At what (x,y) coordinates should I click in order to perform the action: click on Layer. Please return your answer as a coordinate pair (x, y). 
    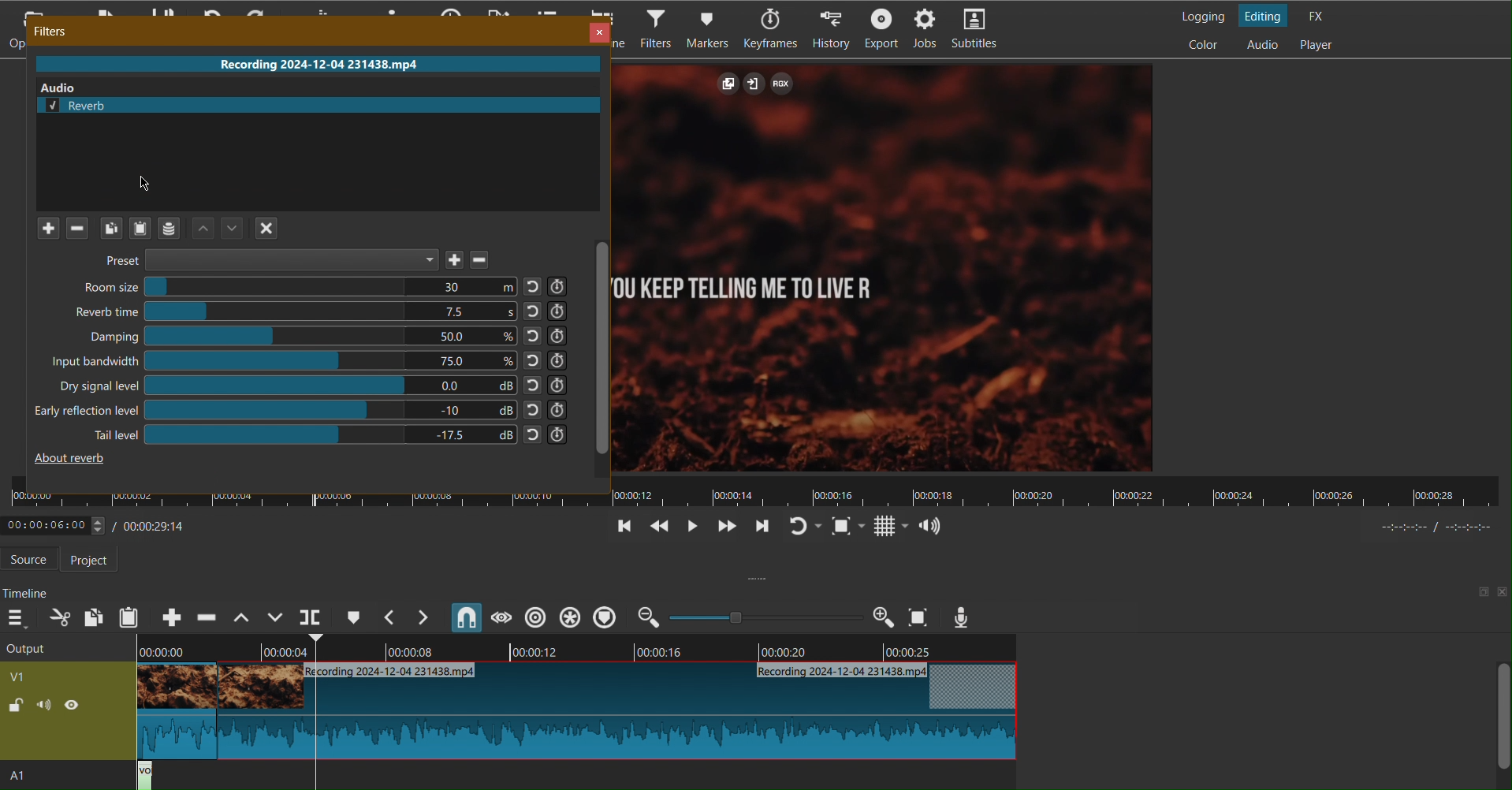
    Looking at the image, I should click on (169, 228).